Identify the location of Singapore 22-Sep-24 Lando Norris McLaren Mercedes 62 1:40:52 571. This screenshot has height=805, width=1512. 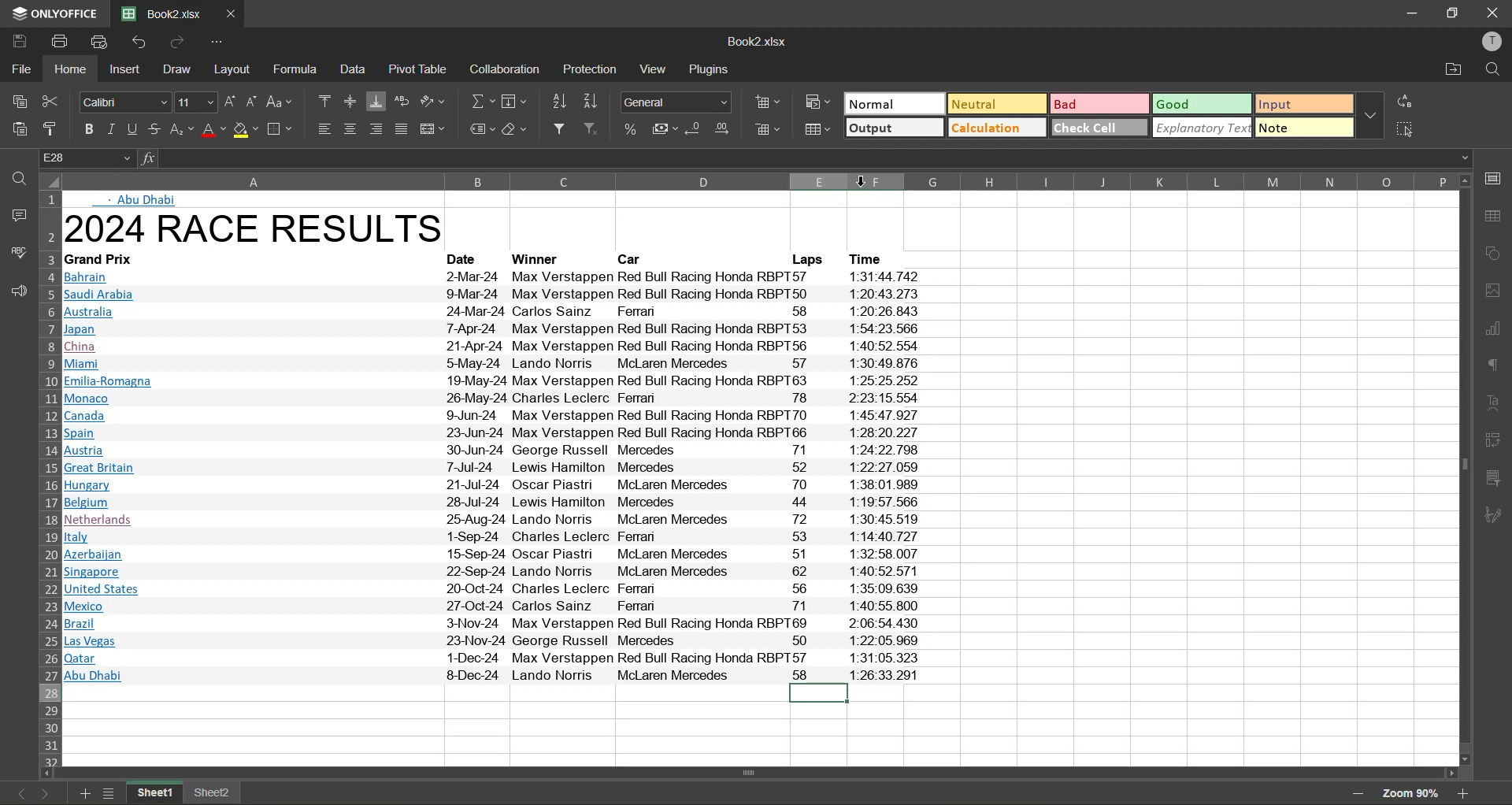
(501, 570).